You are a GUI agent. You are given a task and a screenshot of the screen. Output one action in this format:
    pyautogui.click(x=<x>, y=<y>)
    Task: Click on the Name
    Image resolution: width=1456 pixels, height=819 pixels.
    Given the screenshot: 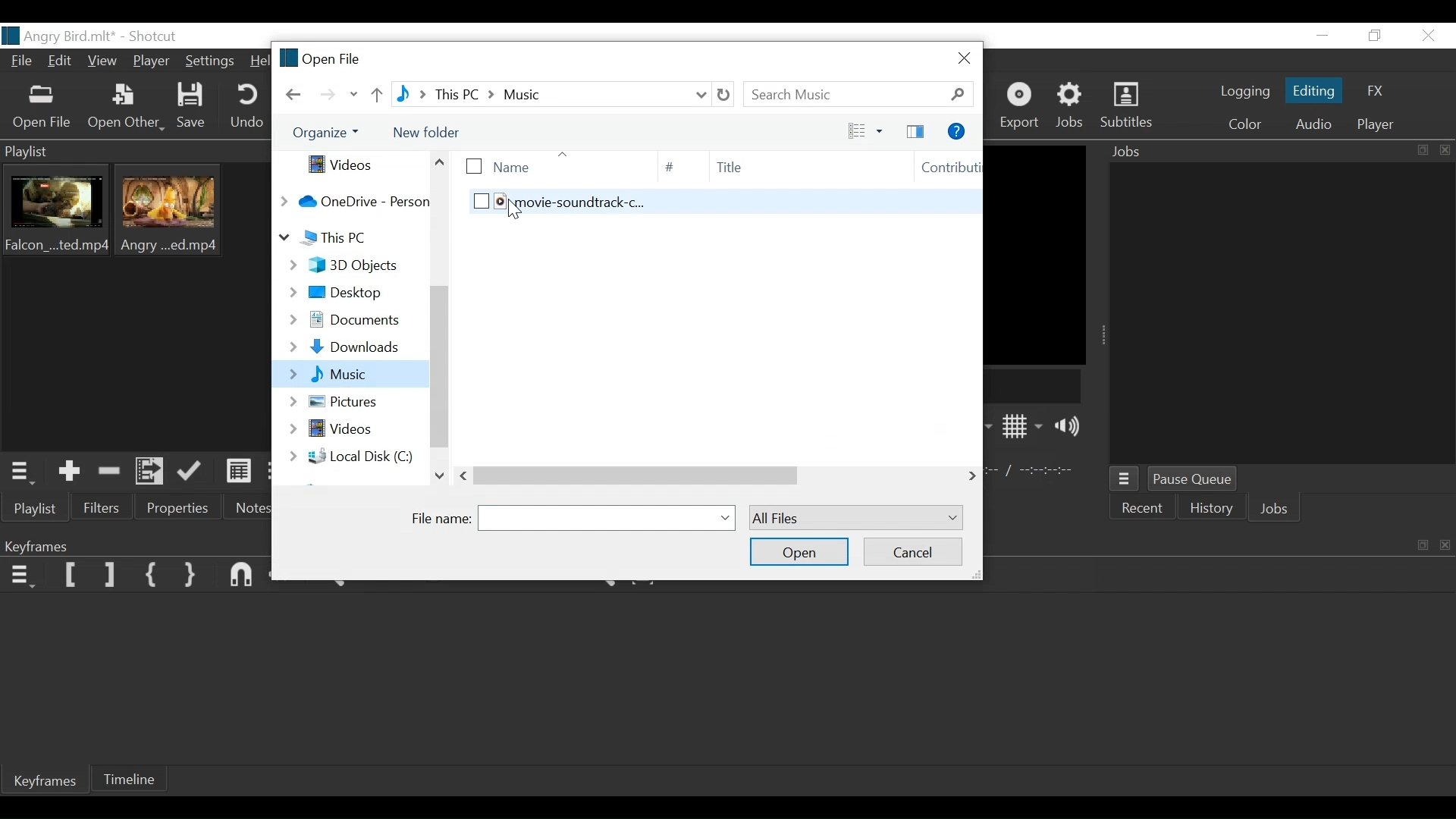 What is the action you would take?
    pyautogui.click(x=542, y=165)
    